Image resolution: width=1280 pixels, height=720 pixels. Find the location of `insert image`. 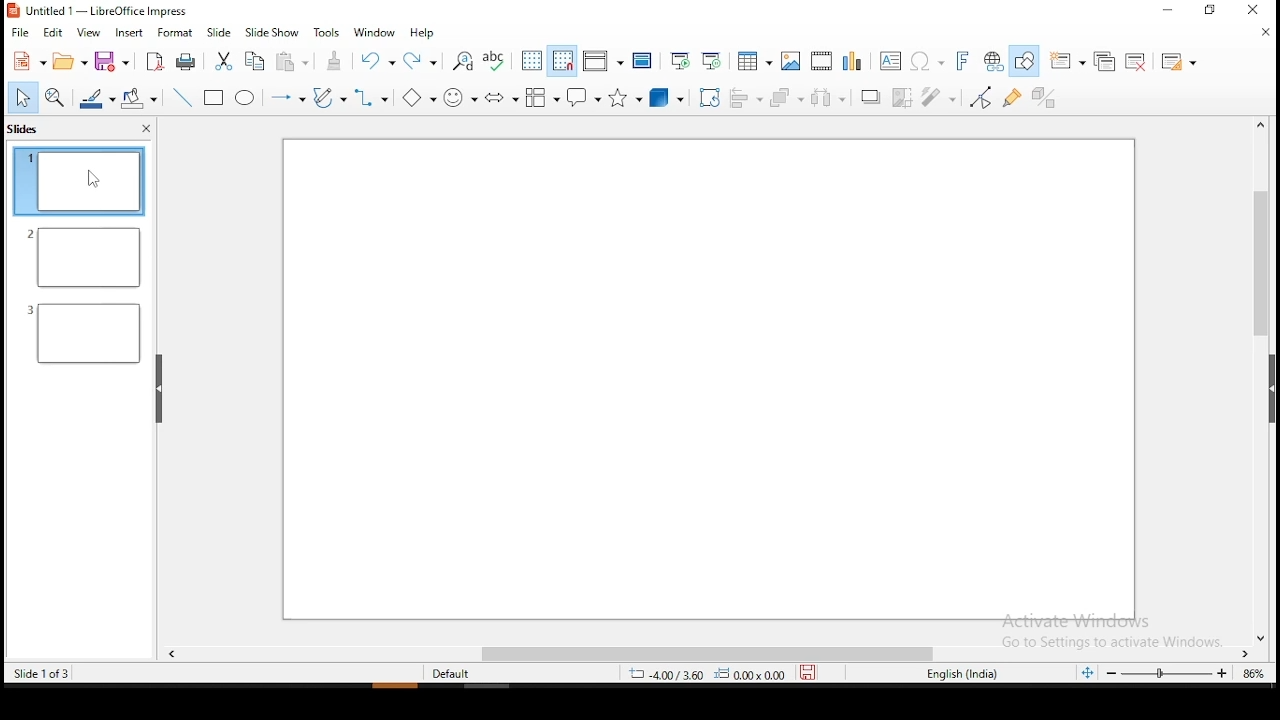

insert image is located at coordinates (789, 62).